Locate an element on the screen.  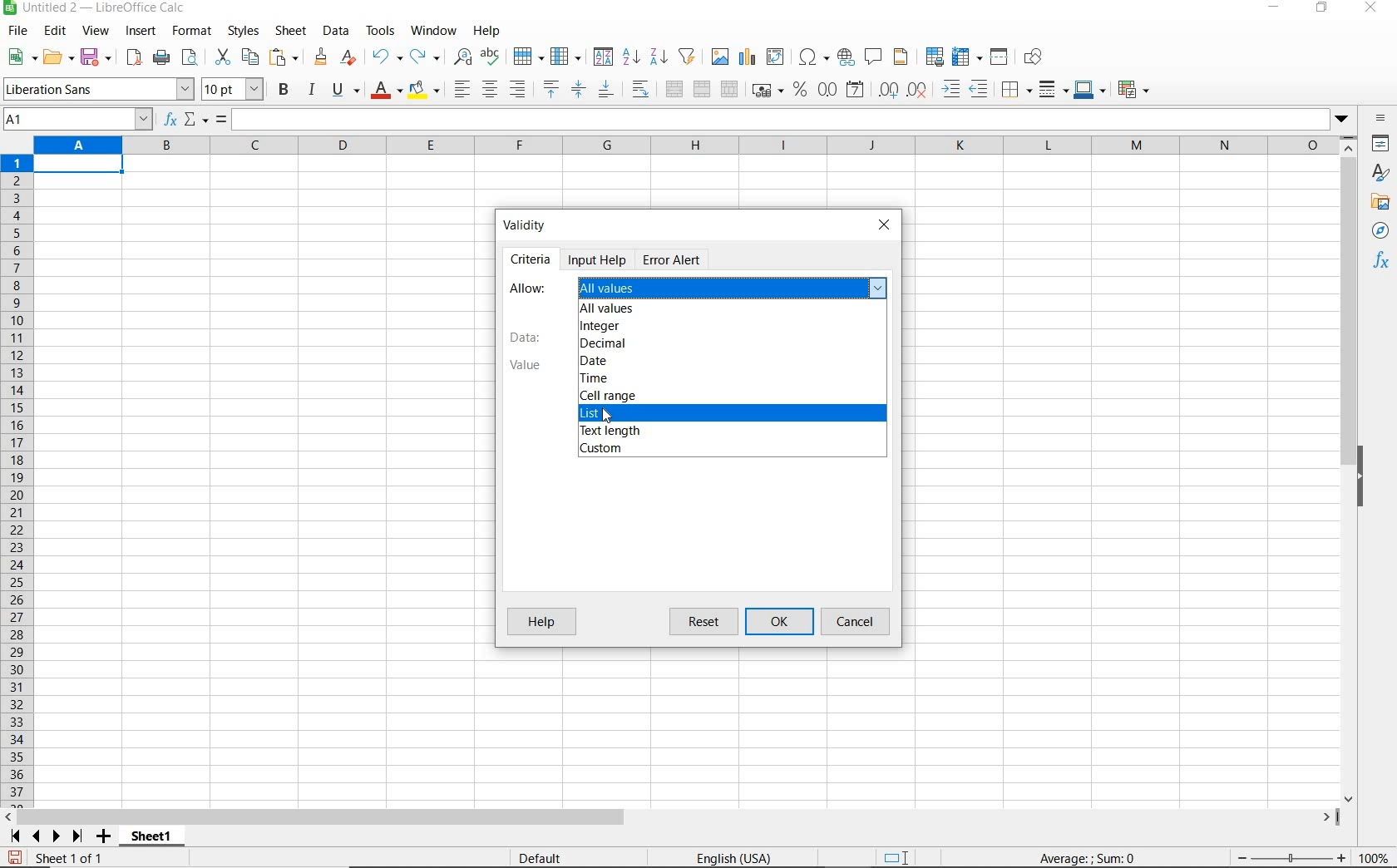
custom is located at coordinates (602, 450).